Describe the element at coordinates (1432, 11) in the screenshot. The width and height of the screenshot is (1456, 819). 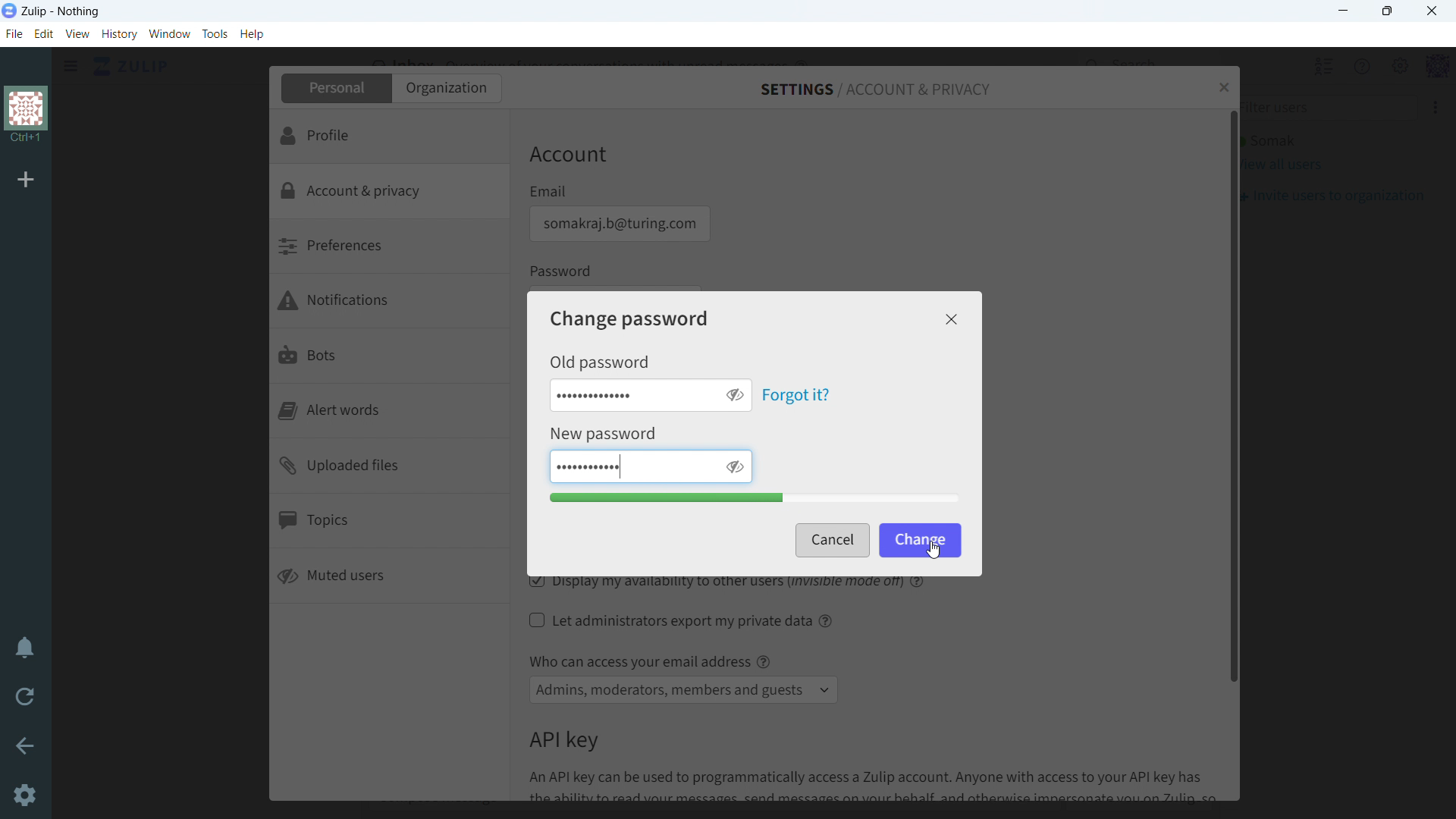
I see `close` at that location.